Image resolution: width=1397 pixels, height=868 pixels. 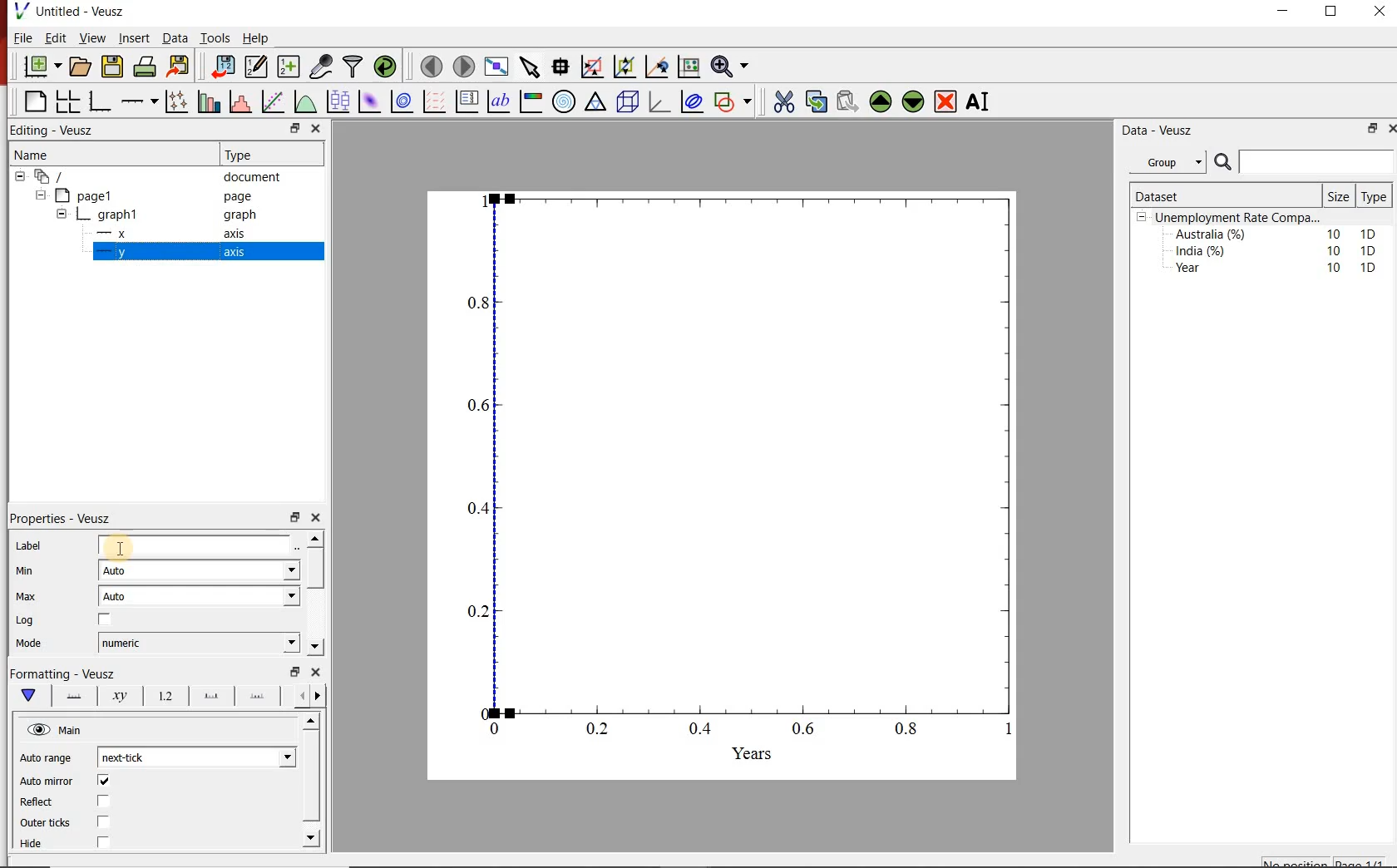 I want to click on checkbox, so click(x=106, y=619).